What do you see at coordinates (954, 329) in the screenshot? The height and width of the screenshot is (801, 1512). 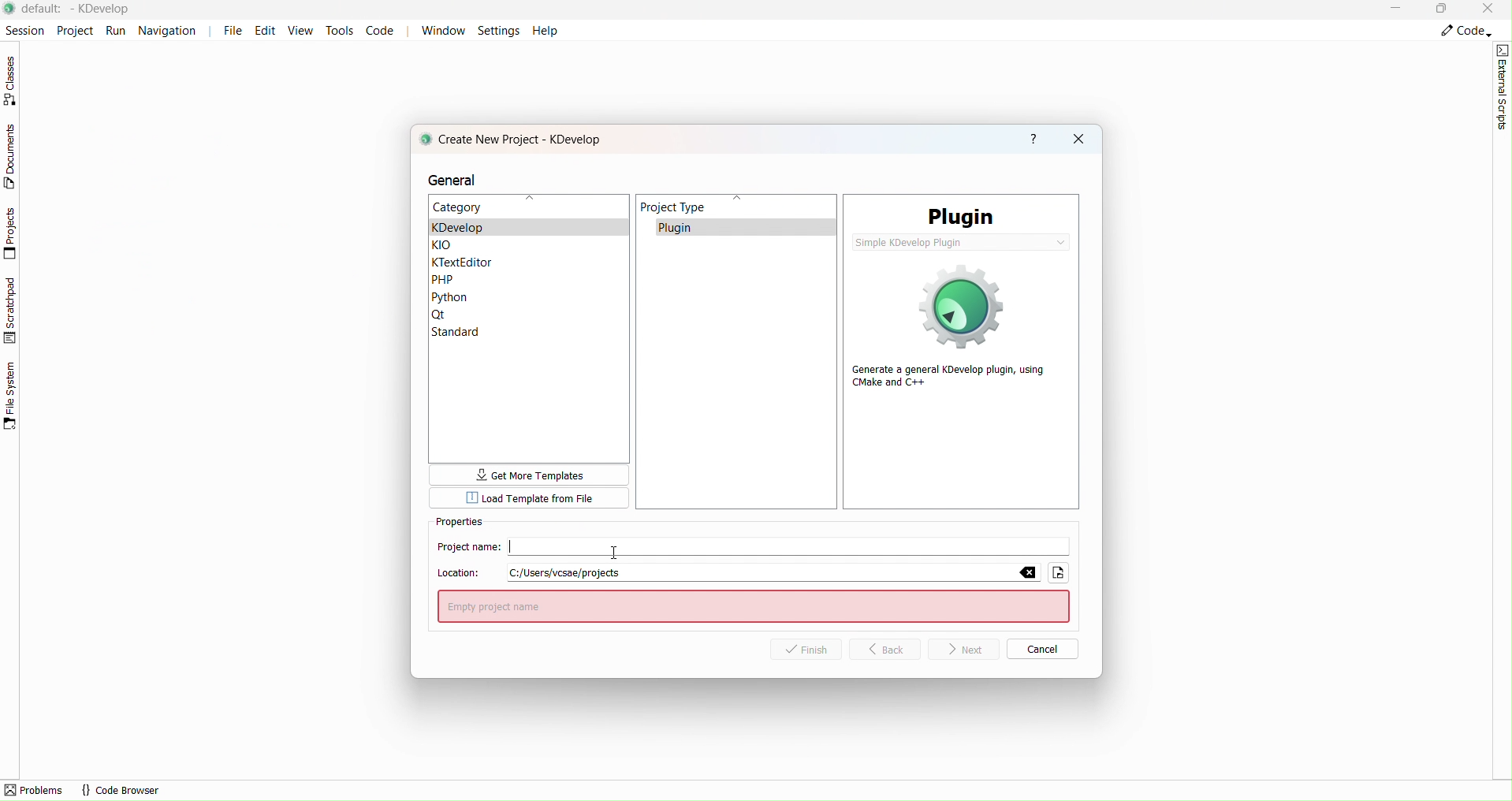 I see `generate a general Kdevelop plugin` at bounding box center [954, 329].